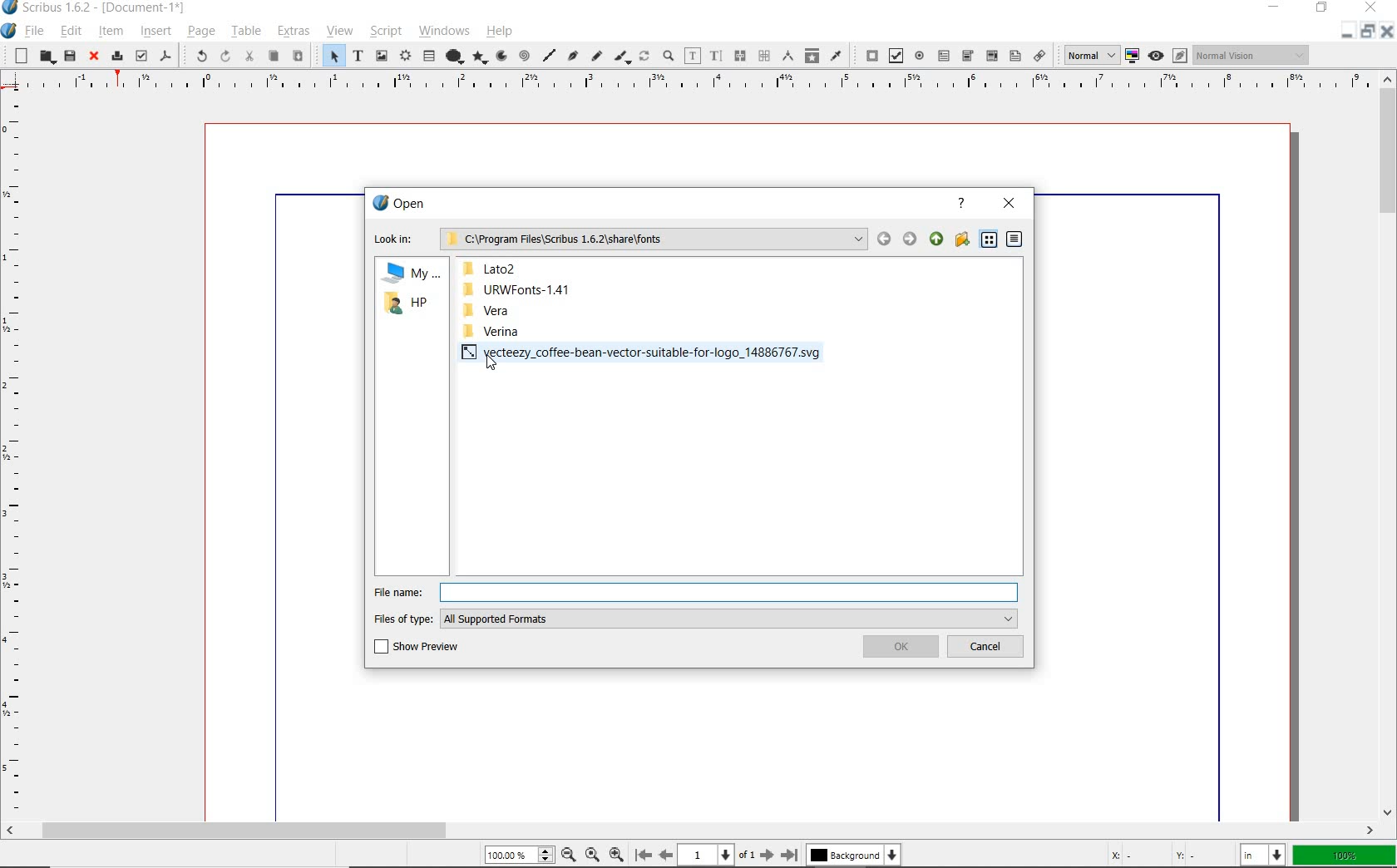 This screenshot has height=868, width=1397. I want to click on Last Page, so click(790, 855).